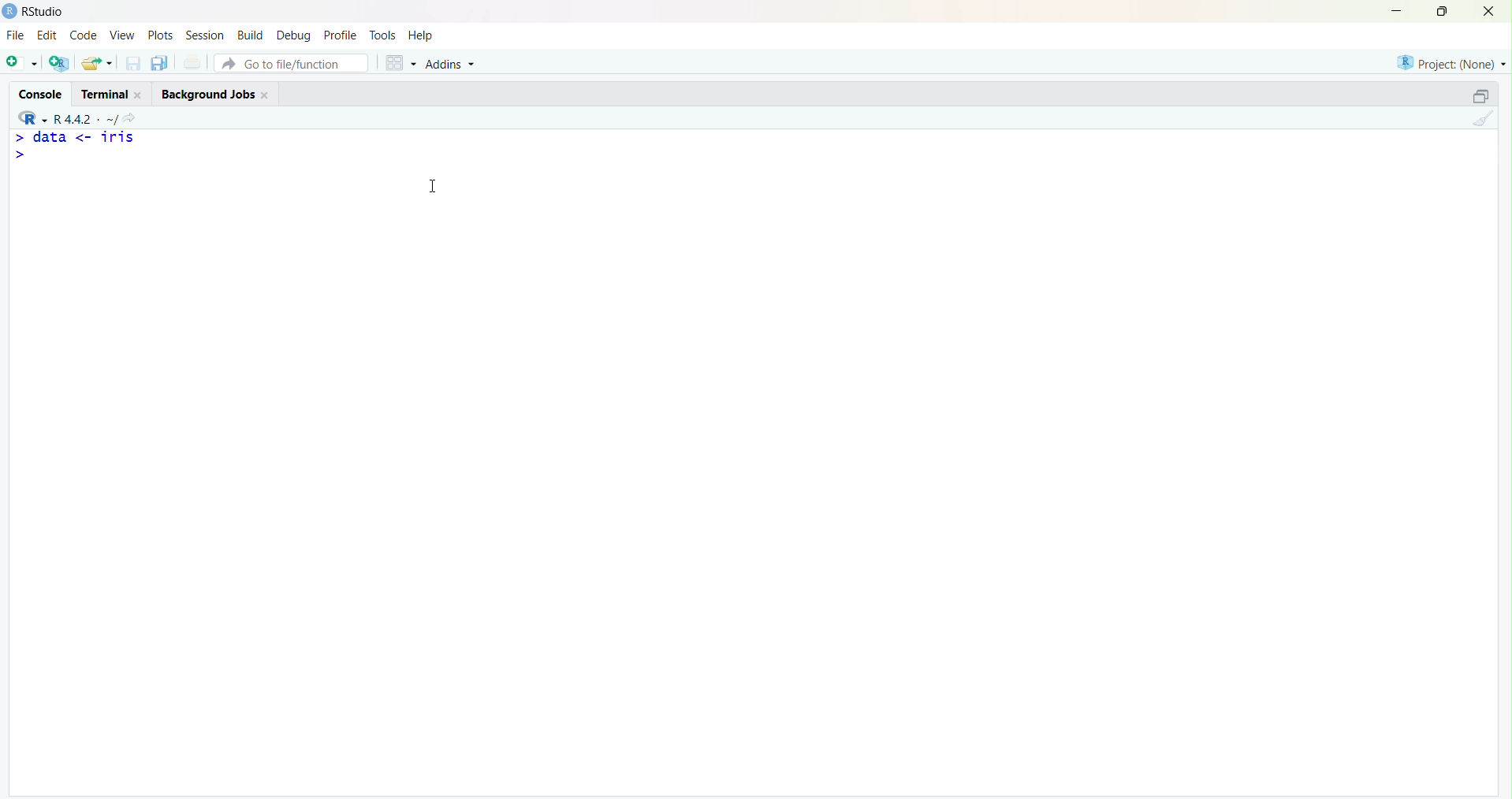  Describe the element at coordinates (110, 91) in the screenshot. I see `Terminal` at that location.